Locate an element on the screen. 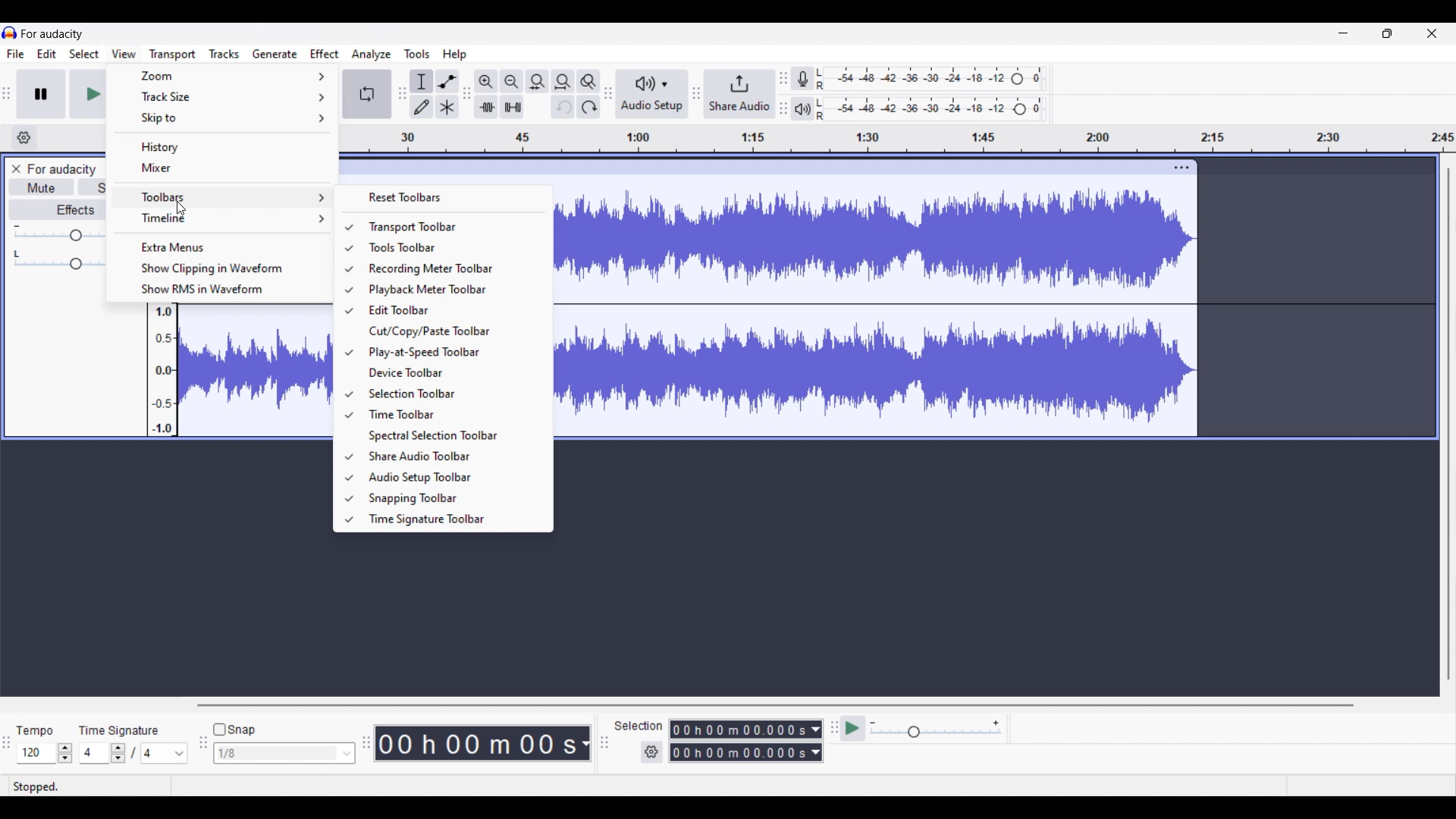  Audio setup toolbar is located at coordinates (452, 477).